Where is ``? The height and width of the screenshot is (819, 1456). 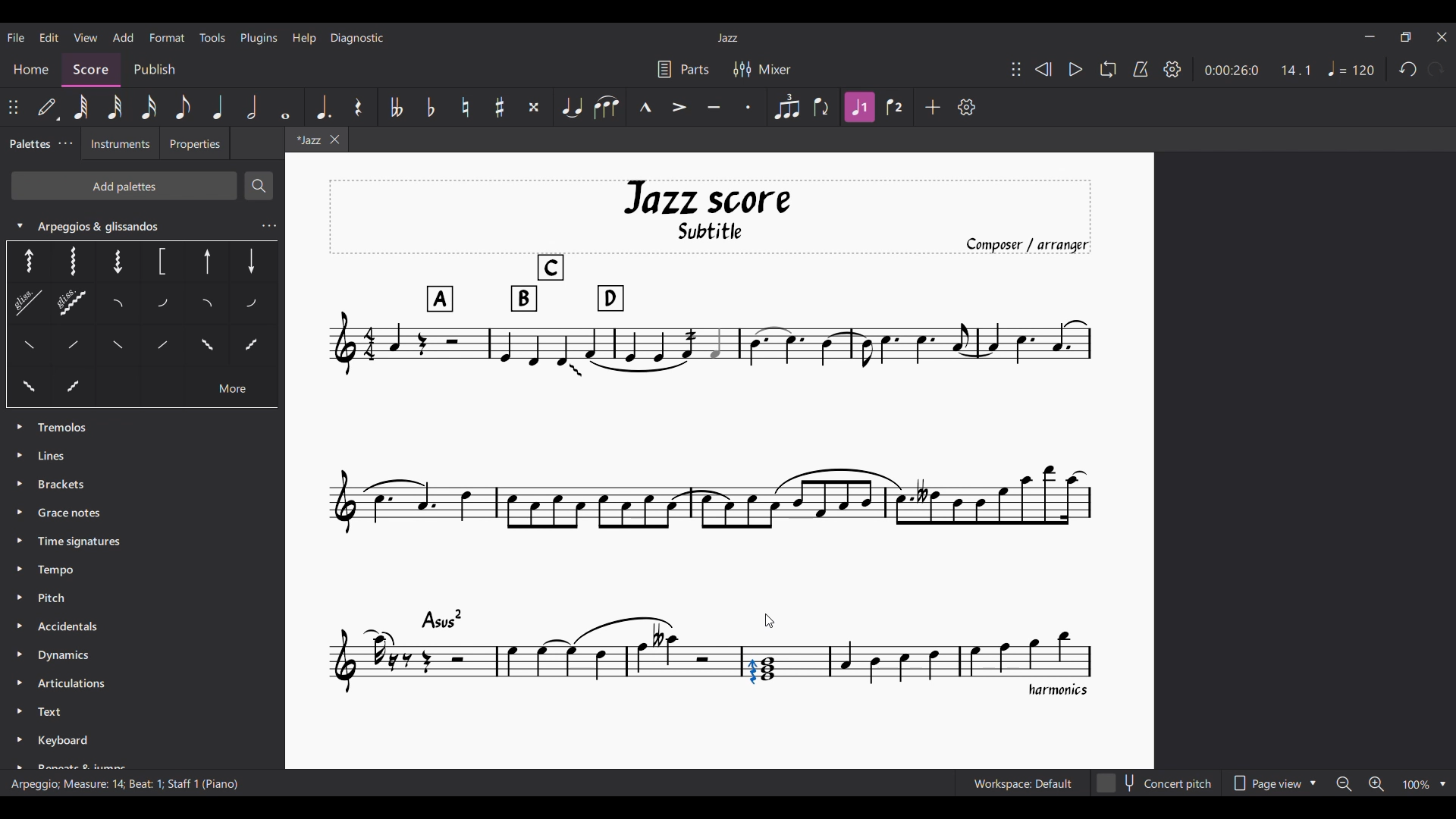
 is located at coordinates (22, 304).